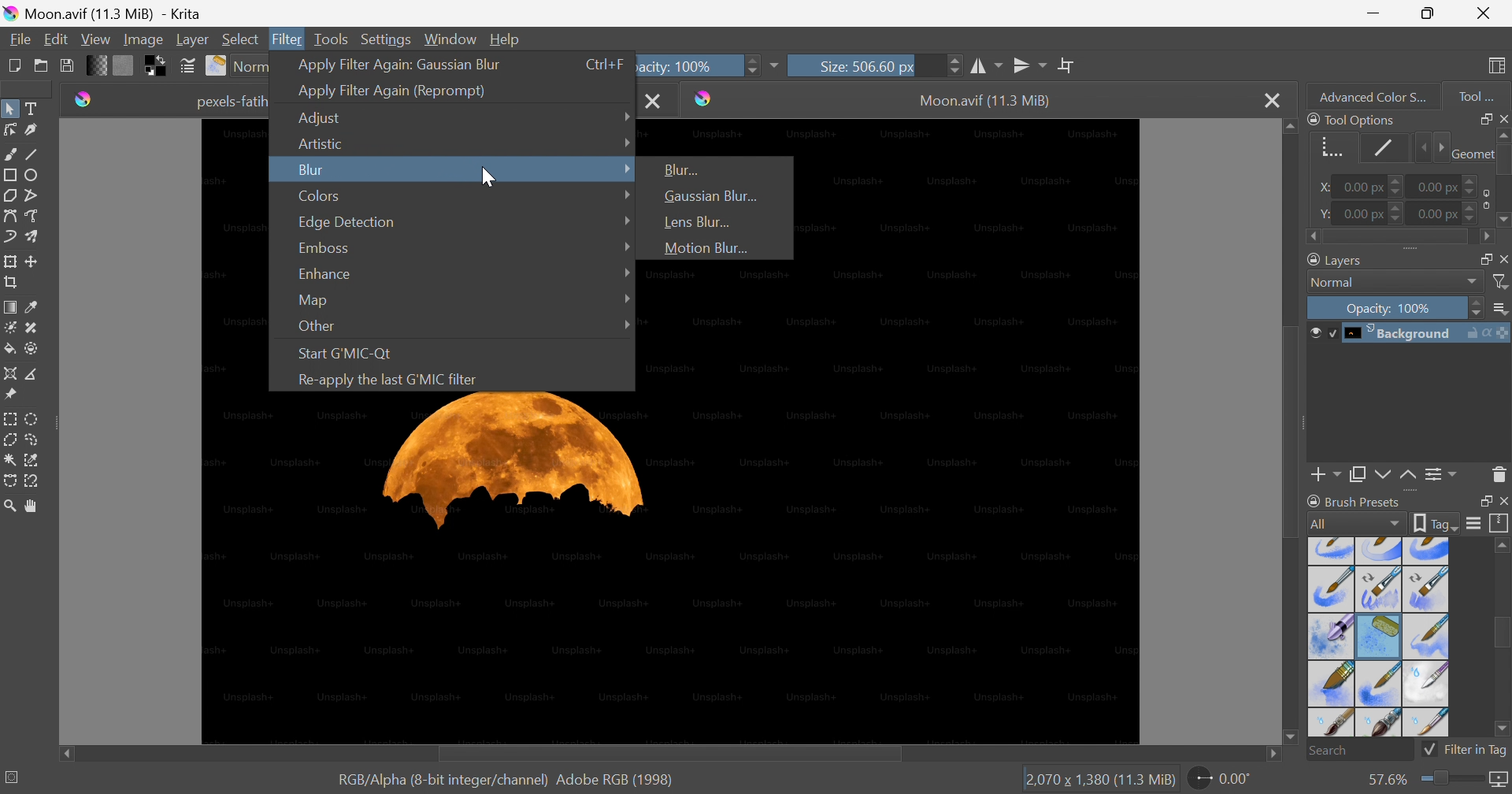 Image resolution: width=1512 pixels, height=794 pixels. What do you see at coordinates (9, 373) in the screenshot?
I see `Assistant tool` at bounding box center [9, 373].